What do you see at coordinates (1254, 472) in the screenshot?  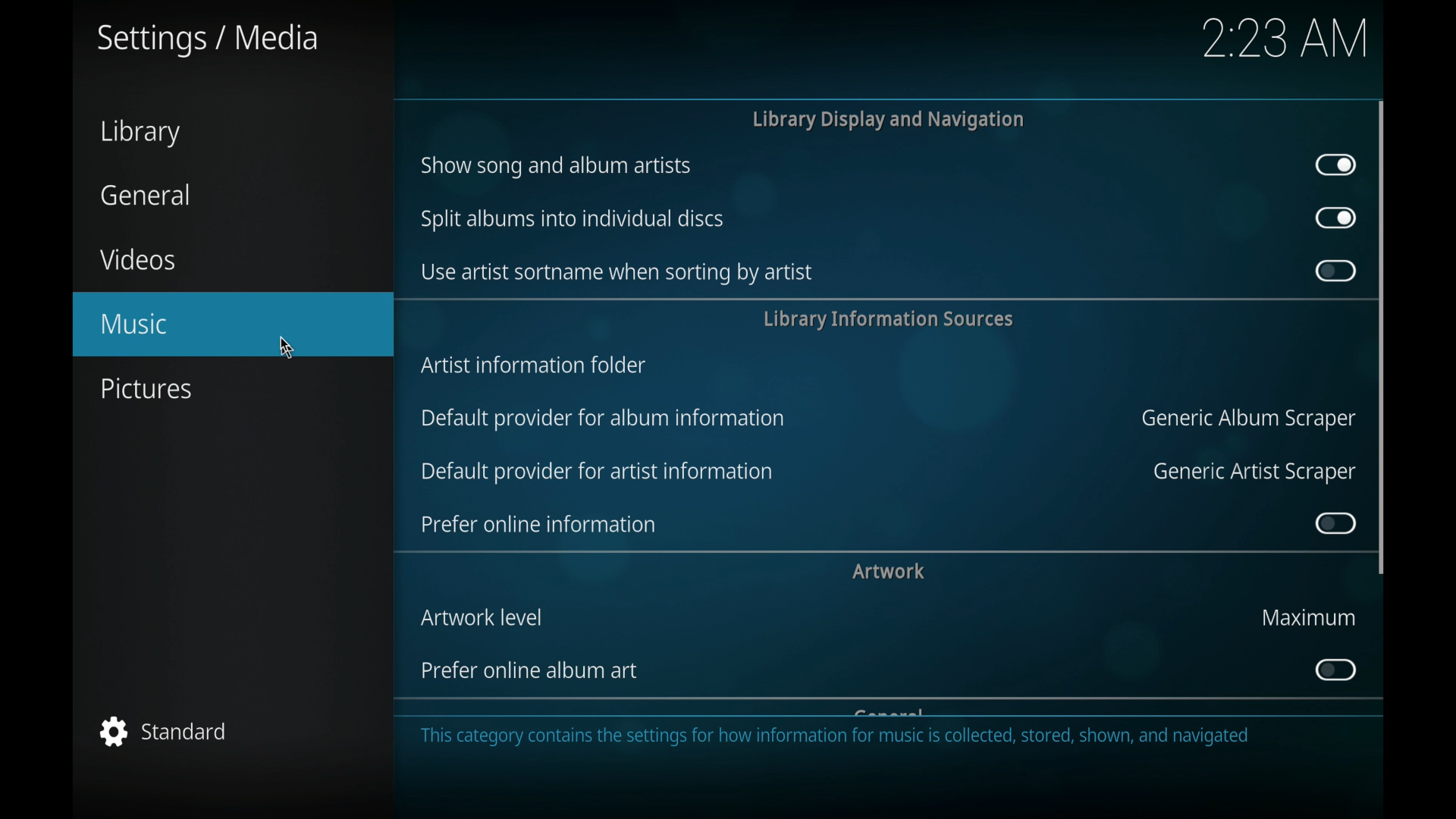 I see `generic artist scraper` at bounding box center [1254, 472].